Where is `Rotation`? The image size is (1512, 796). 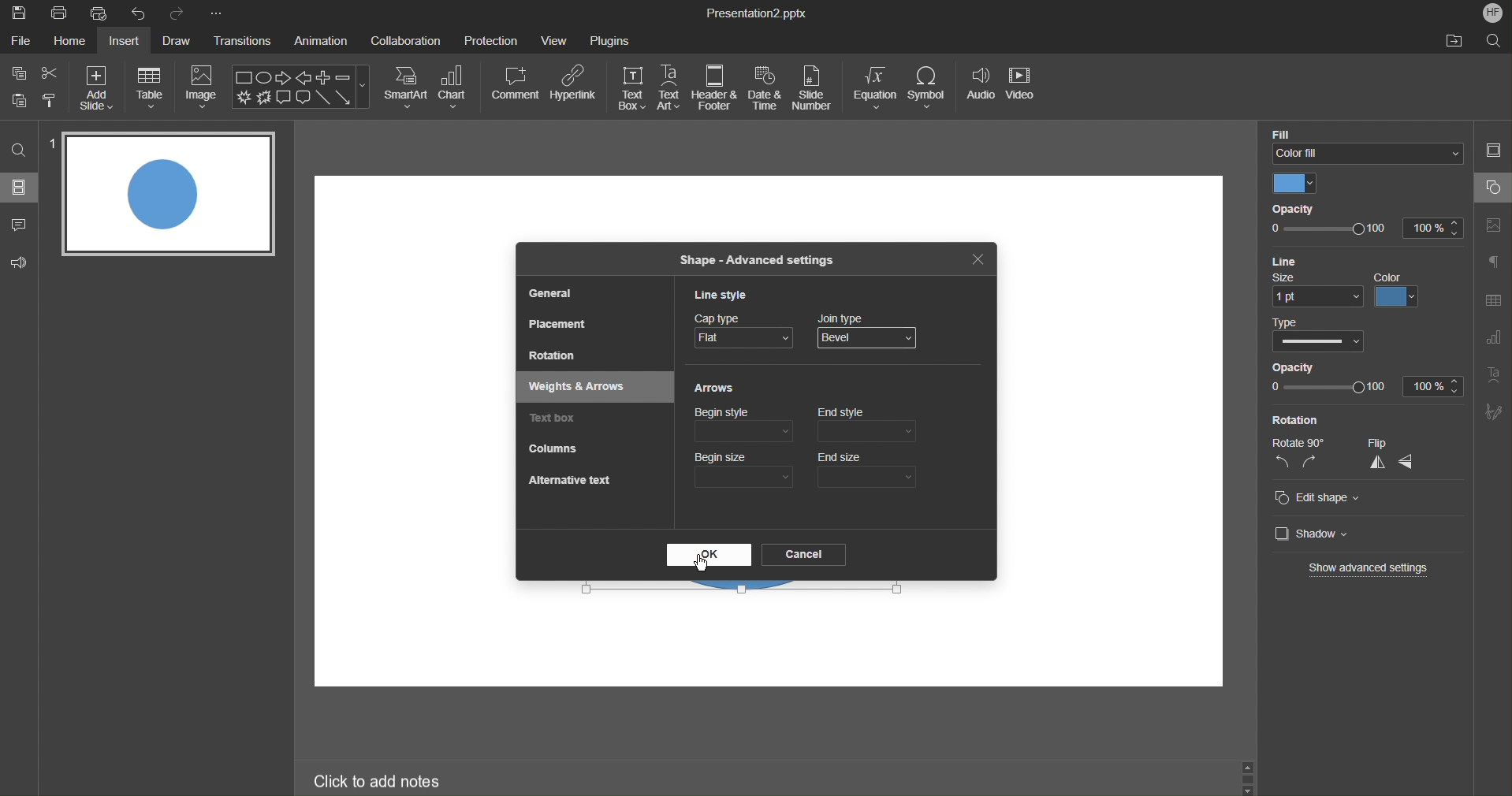 Rotation is located at coordinates (1294, 419).